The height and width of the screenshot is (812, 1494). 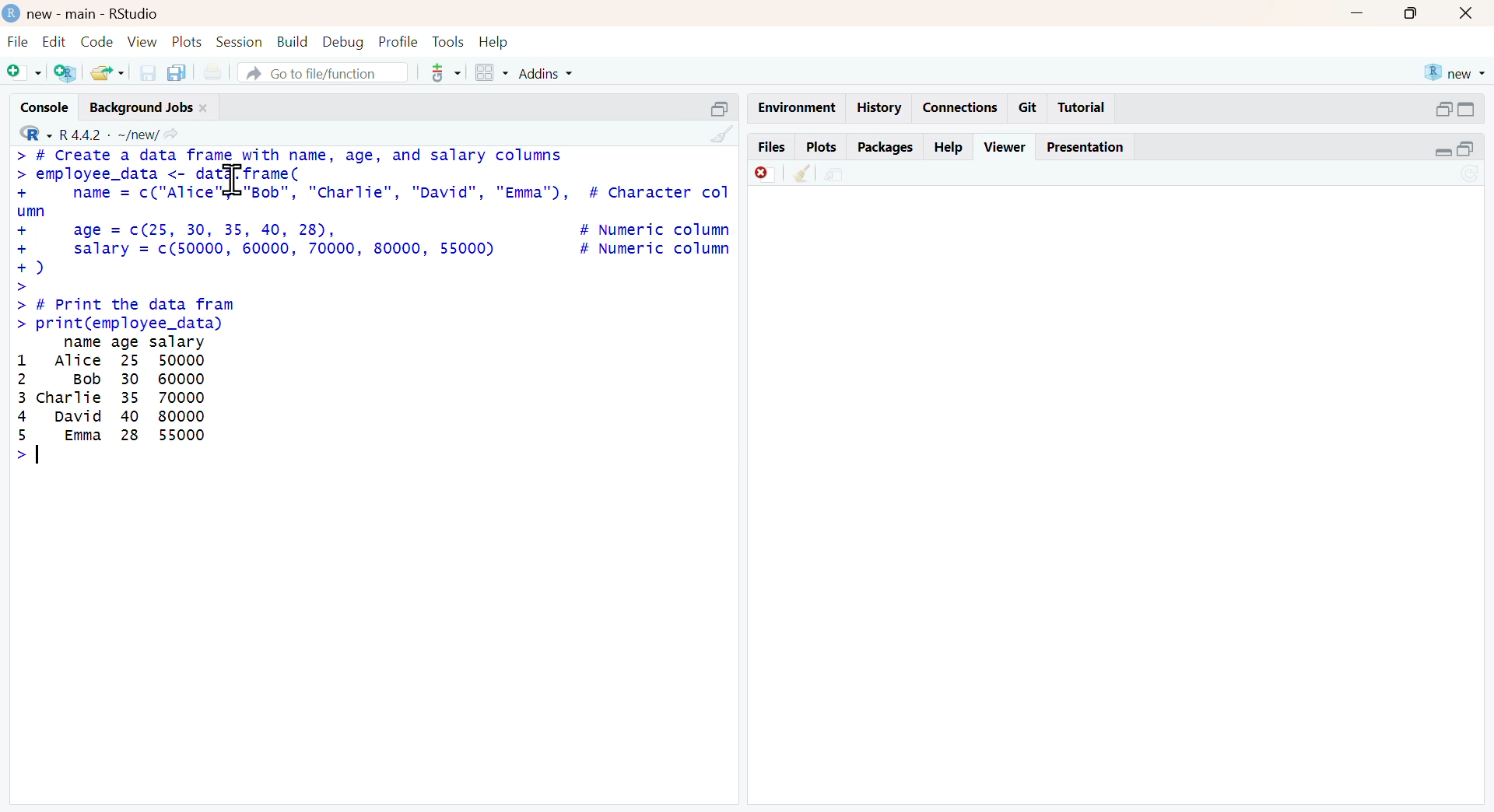 I want to click on open existing file, so click(x=104, y=72).